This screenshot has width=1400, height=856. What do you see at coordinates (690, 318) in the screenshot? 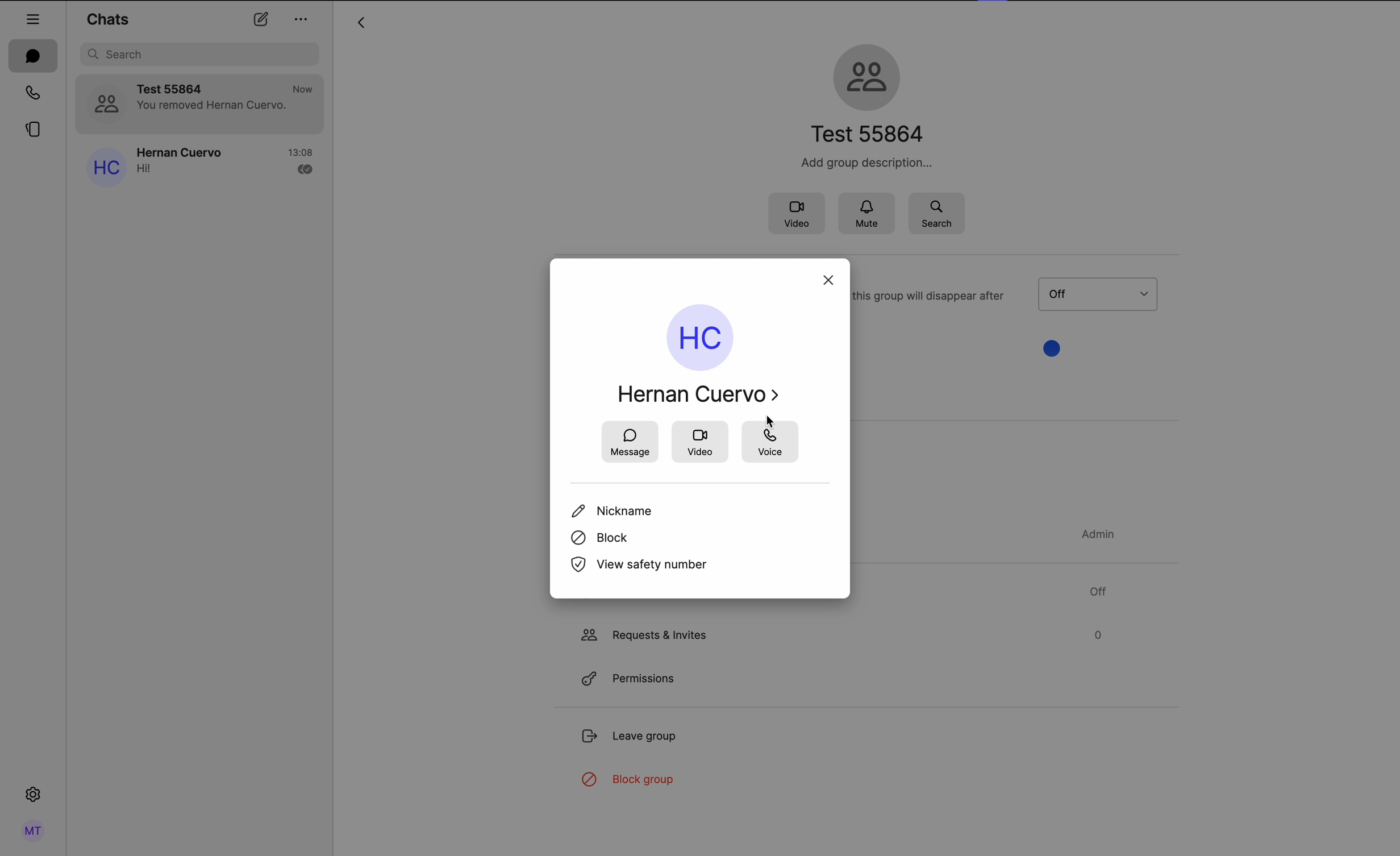
I see `profile contact` at bounding box center [690, 318].